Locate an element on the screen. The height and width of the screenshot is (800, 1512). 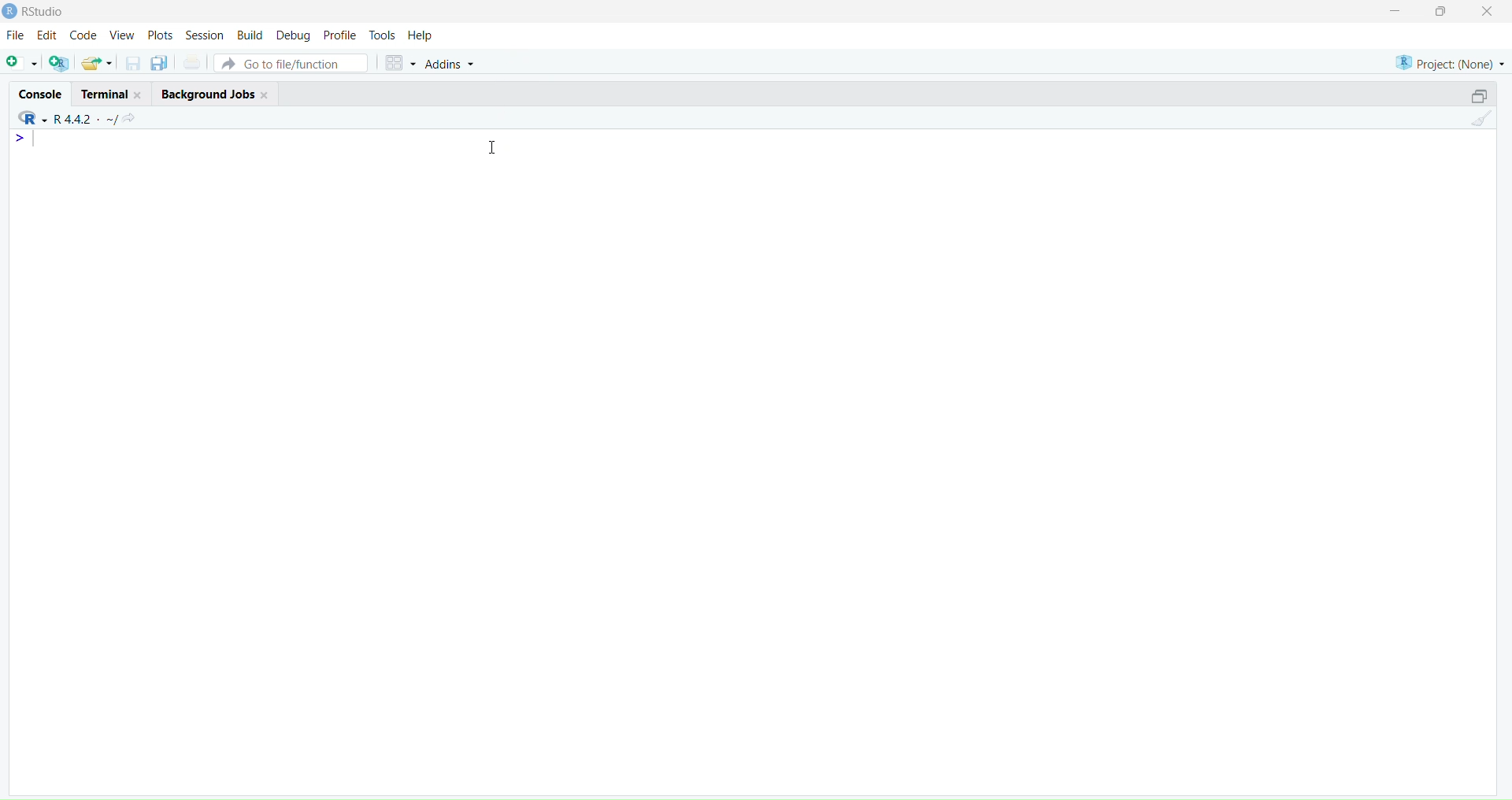
help is located at coordinates (421, 37).